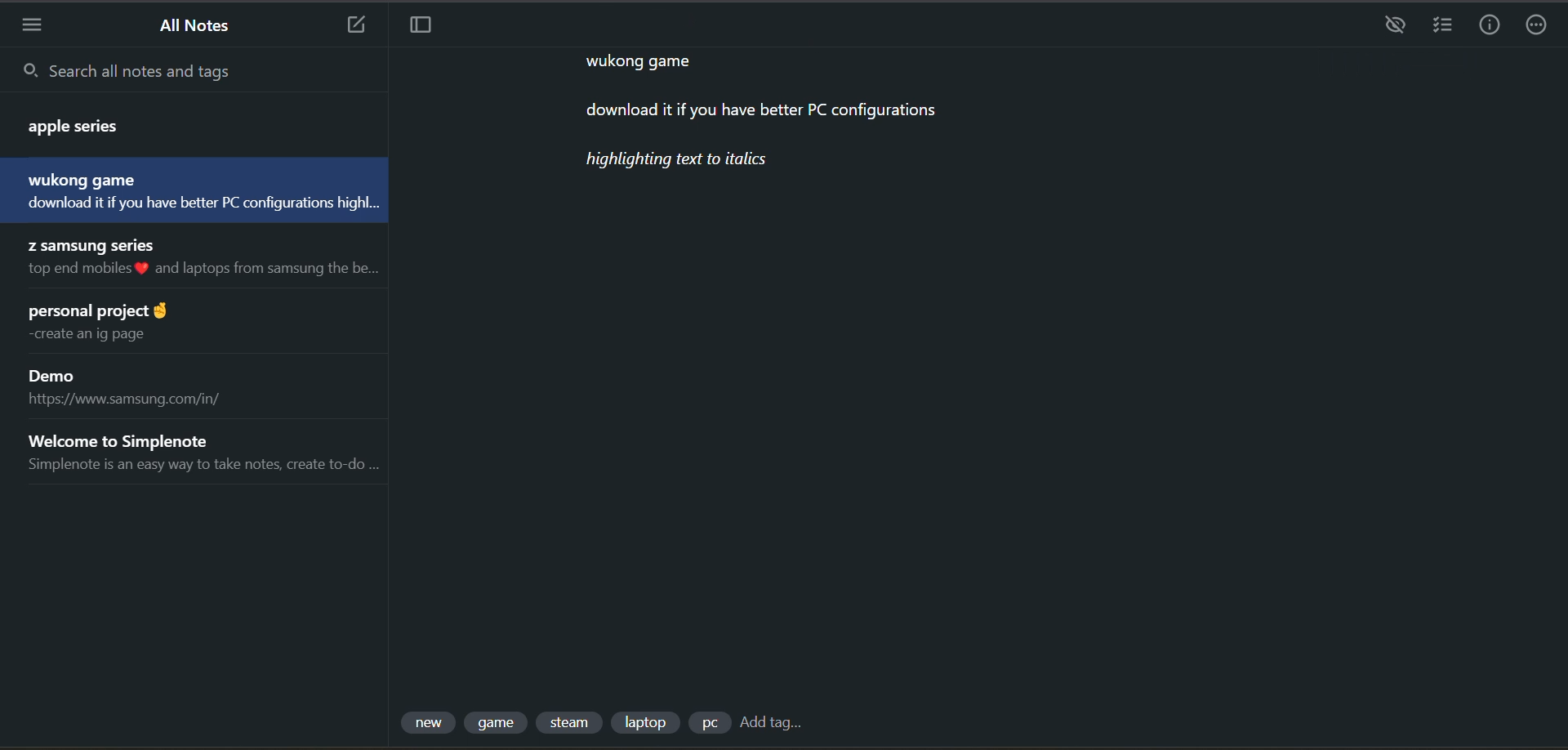 This screenshot has height=750, width=1568. I want to click on note title and preview, so click(200, 452).